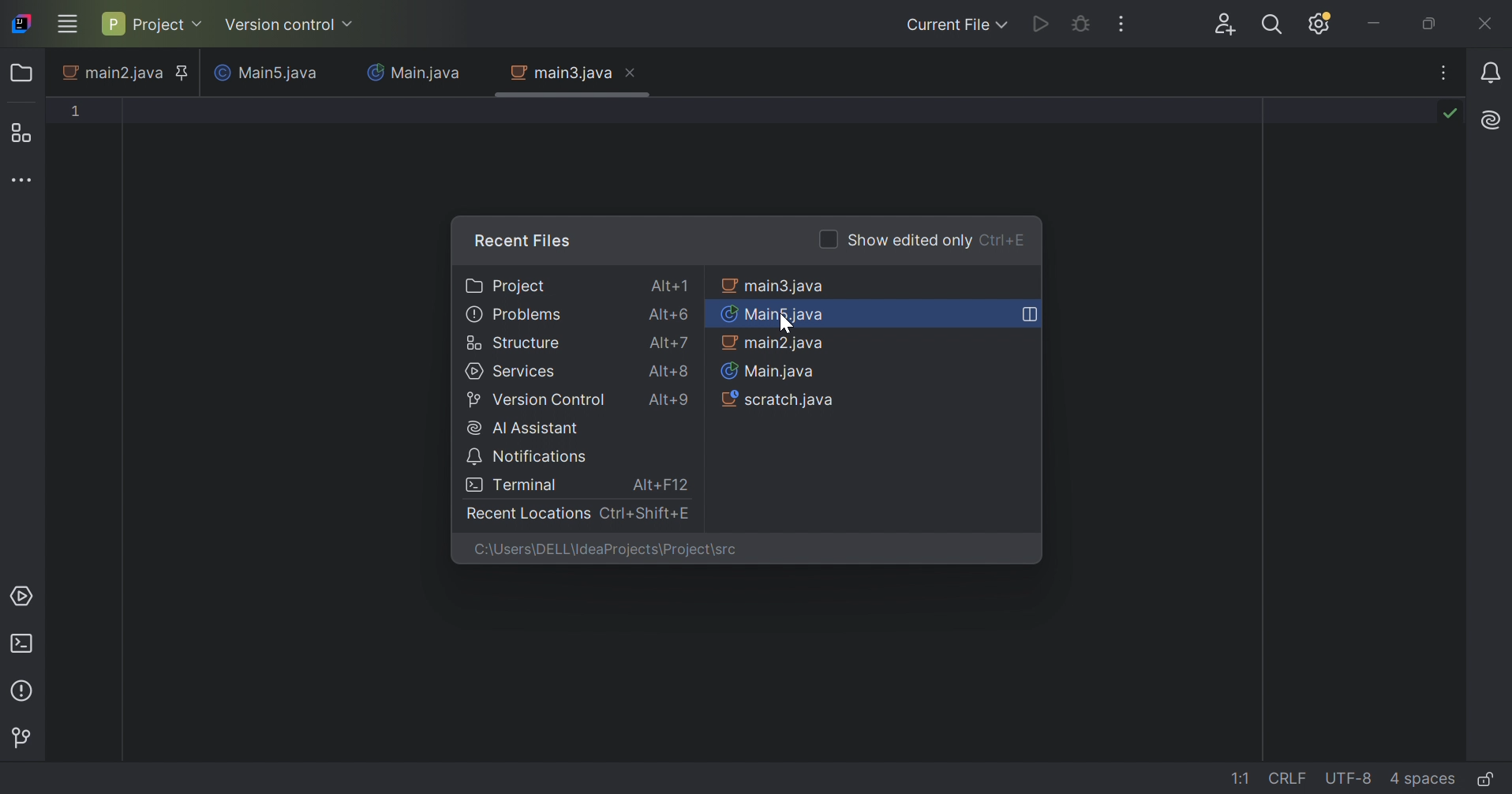 The image size is (1512, 794). What do you see at coordinates (1123, 24) in the screenshot?
I see `More actions` at bounding box center [1123, 24].